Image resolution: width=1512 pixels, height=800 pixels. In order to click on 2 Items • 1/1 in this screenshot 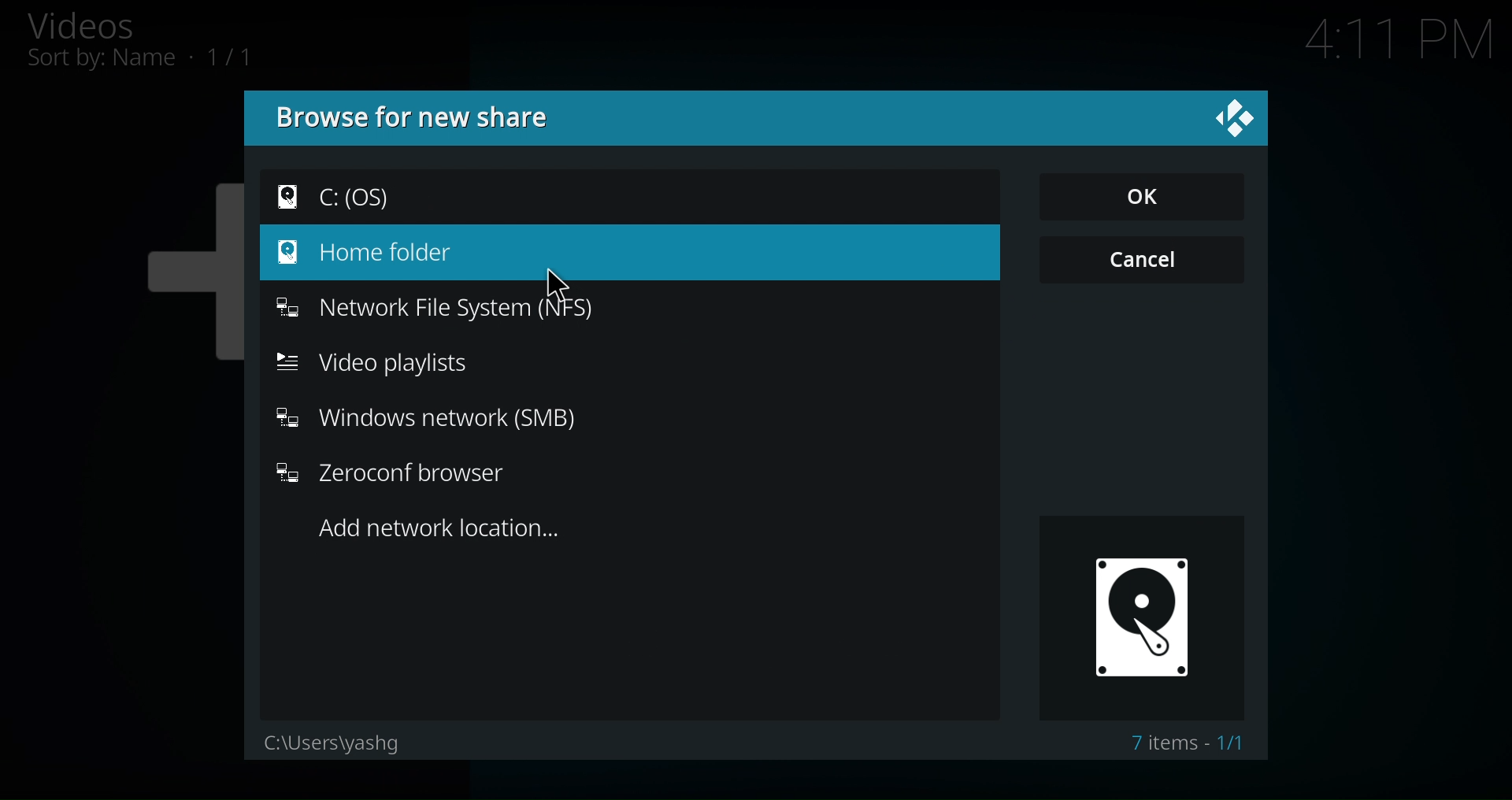, I will do `click(1188, 744)`.